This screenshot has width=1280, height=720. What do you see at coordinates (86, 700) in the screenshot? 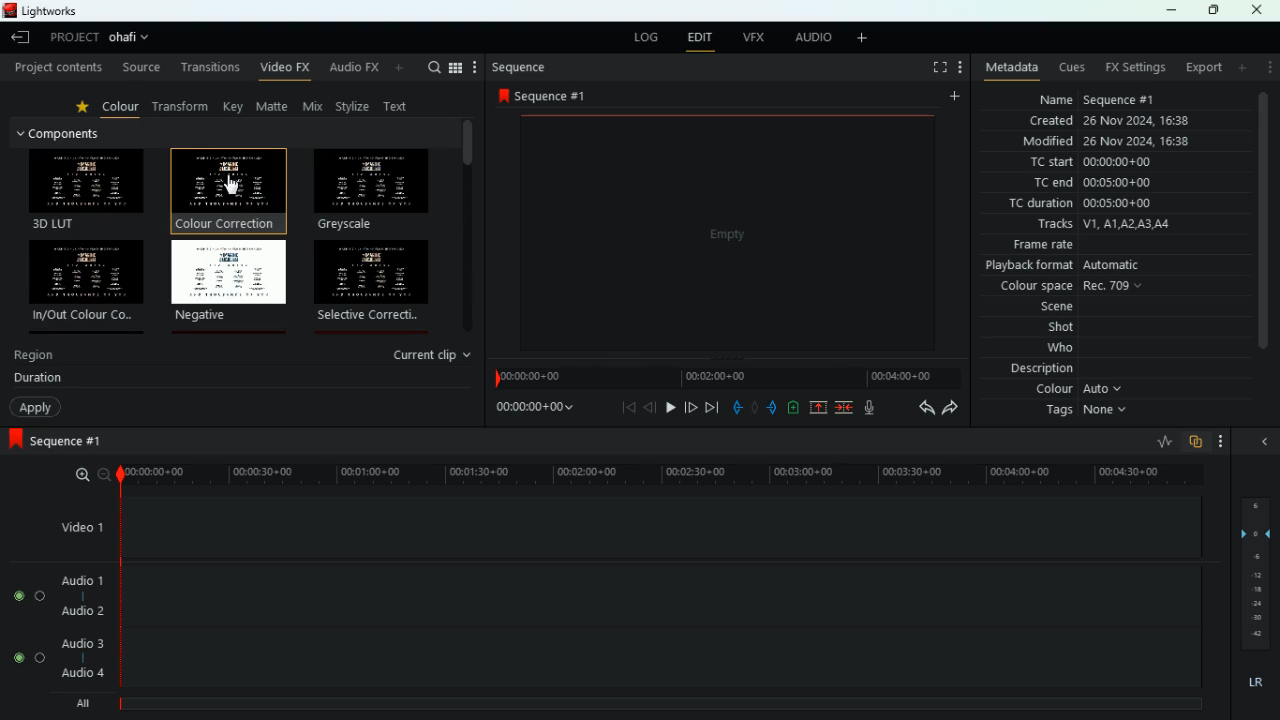
I see `All` at bounding box center [86, 700].